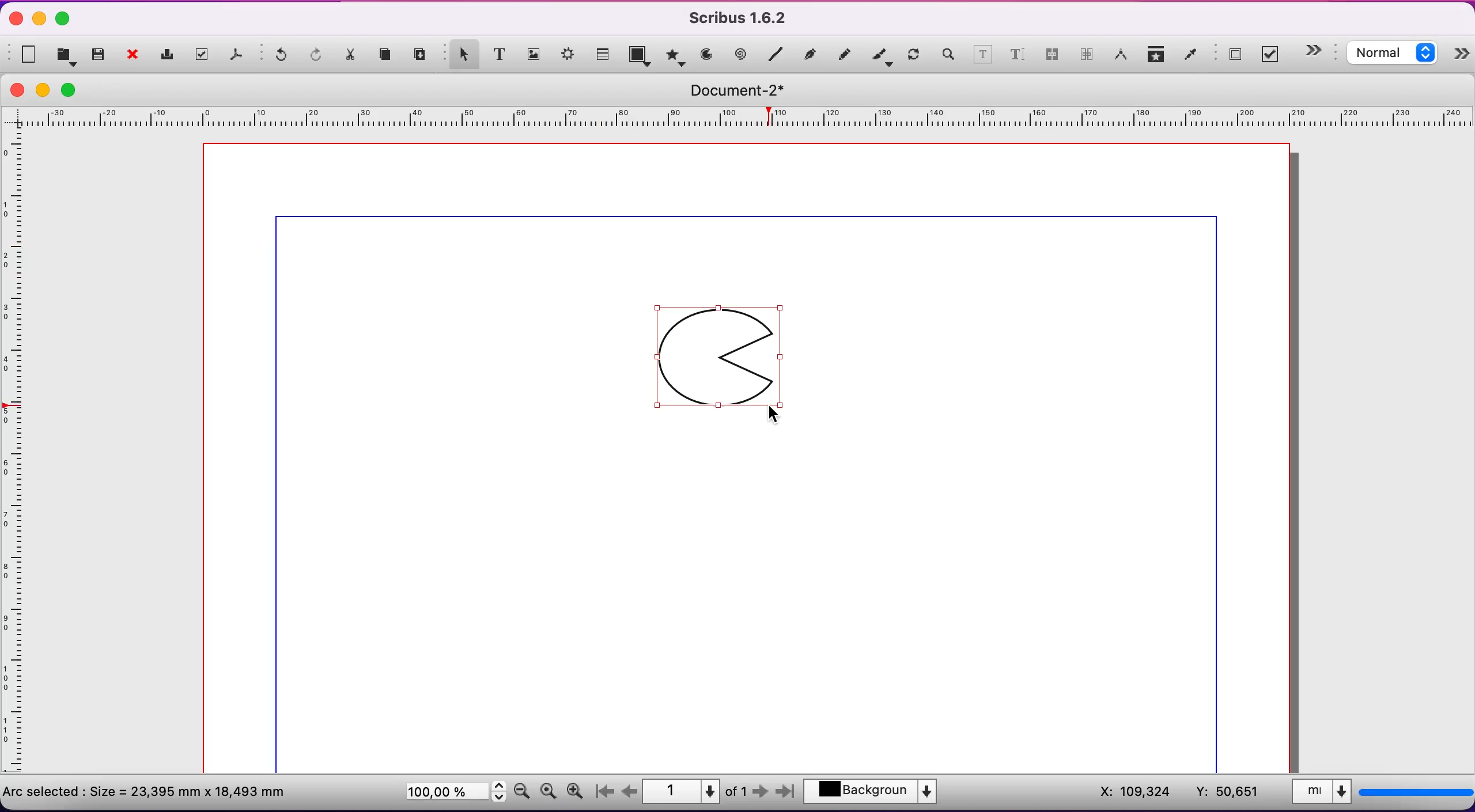 This screenshot has width=1475, height=812. What do you see at coordinates (17, 457) in the screenshot?
I see `vertical measures` at bounding box center [17, 457].